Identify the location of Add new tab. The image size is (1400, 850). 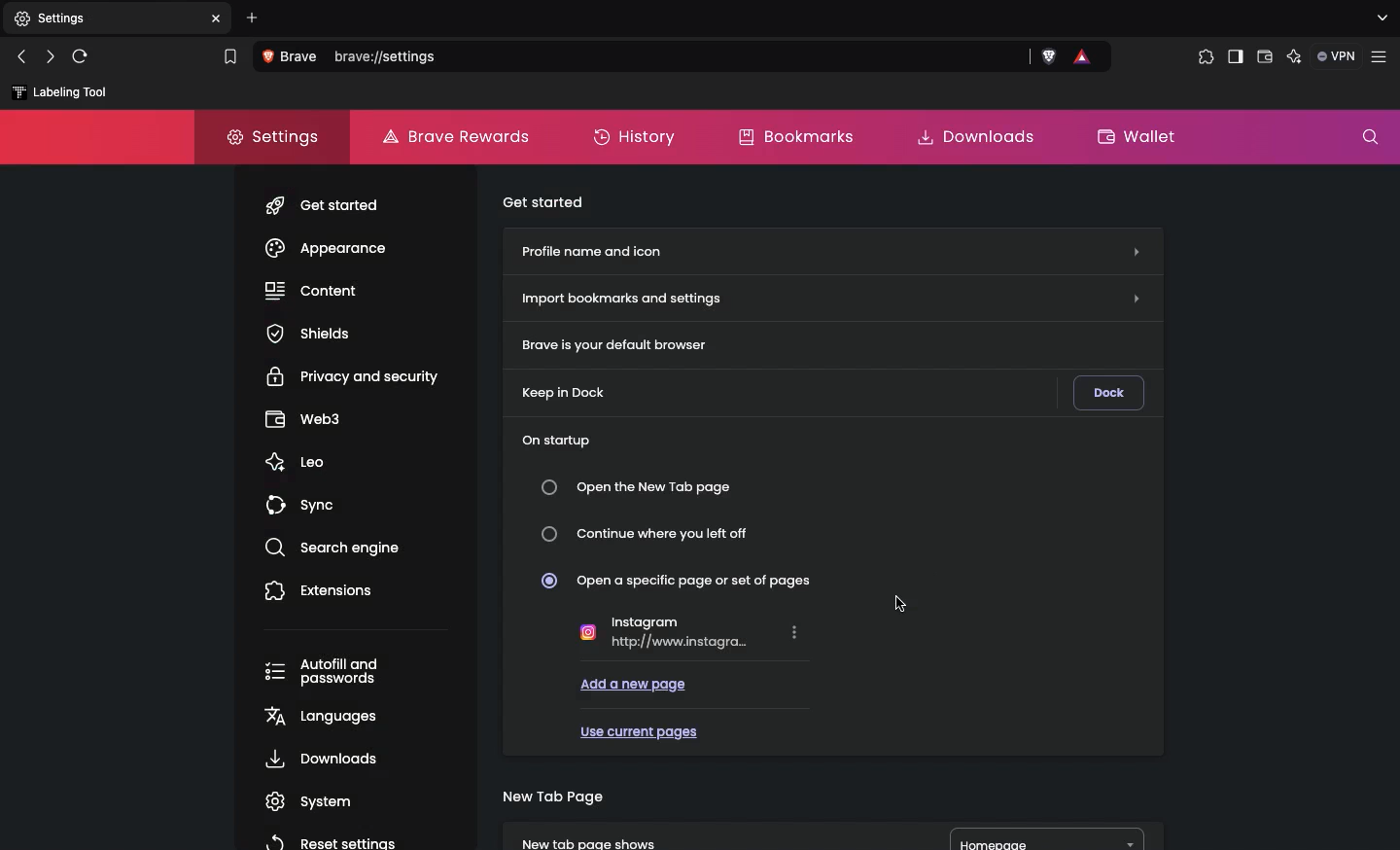
(253, 18).